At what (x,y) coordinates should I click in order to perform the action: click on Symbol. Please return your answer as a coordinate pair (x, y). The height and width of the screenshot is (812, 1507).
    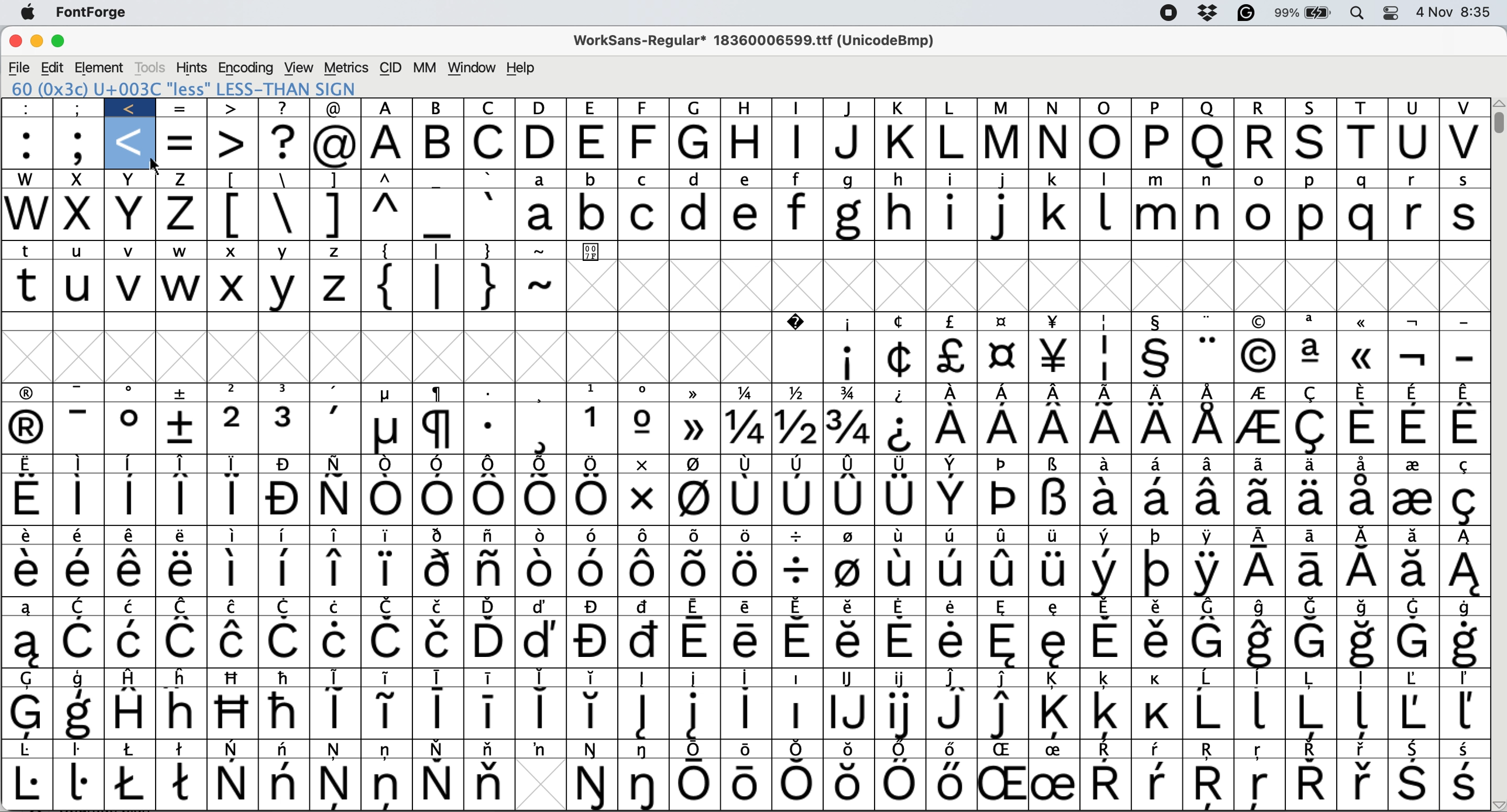
    Looking at the image, I should click on (1054, 571).